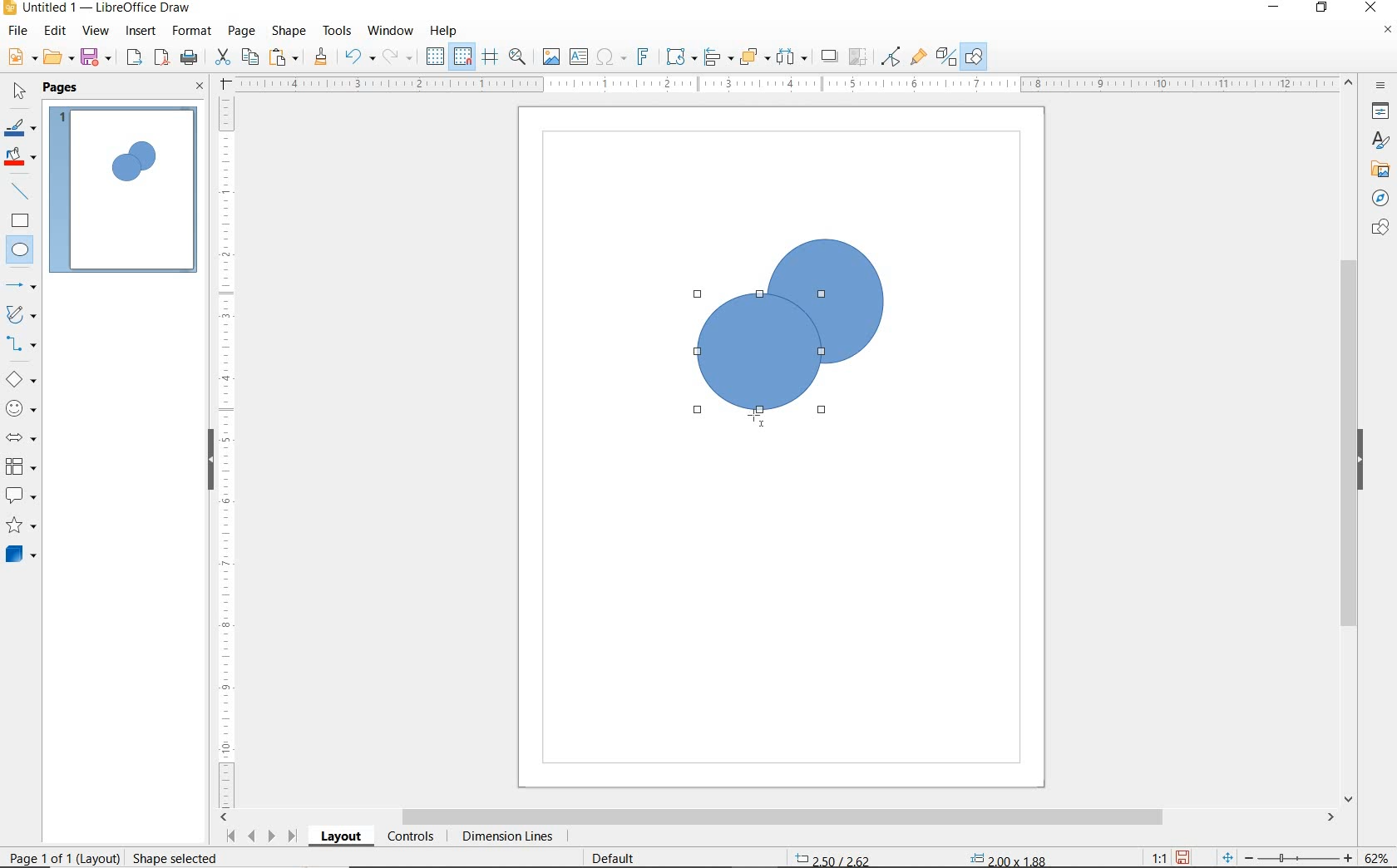  What do you see at coordinates (22, 158) in the screenshot?
I see `FILL COLOR` at bounding box center [22, 158].